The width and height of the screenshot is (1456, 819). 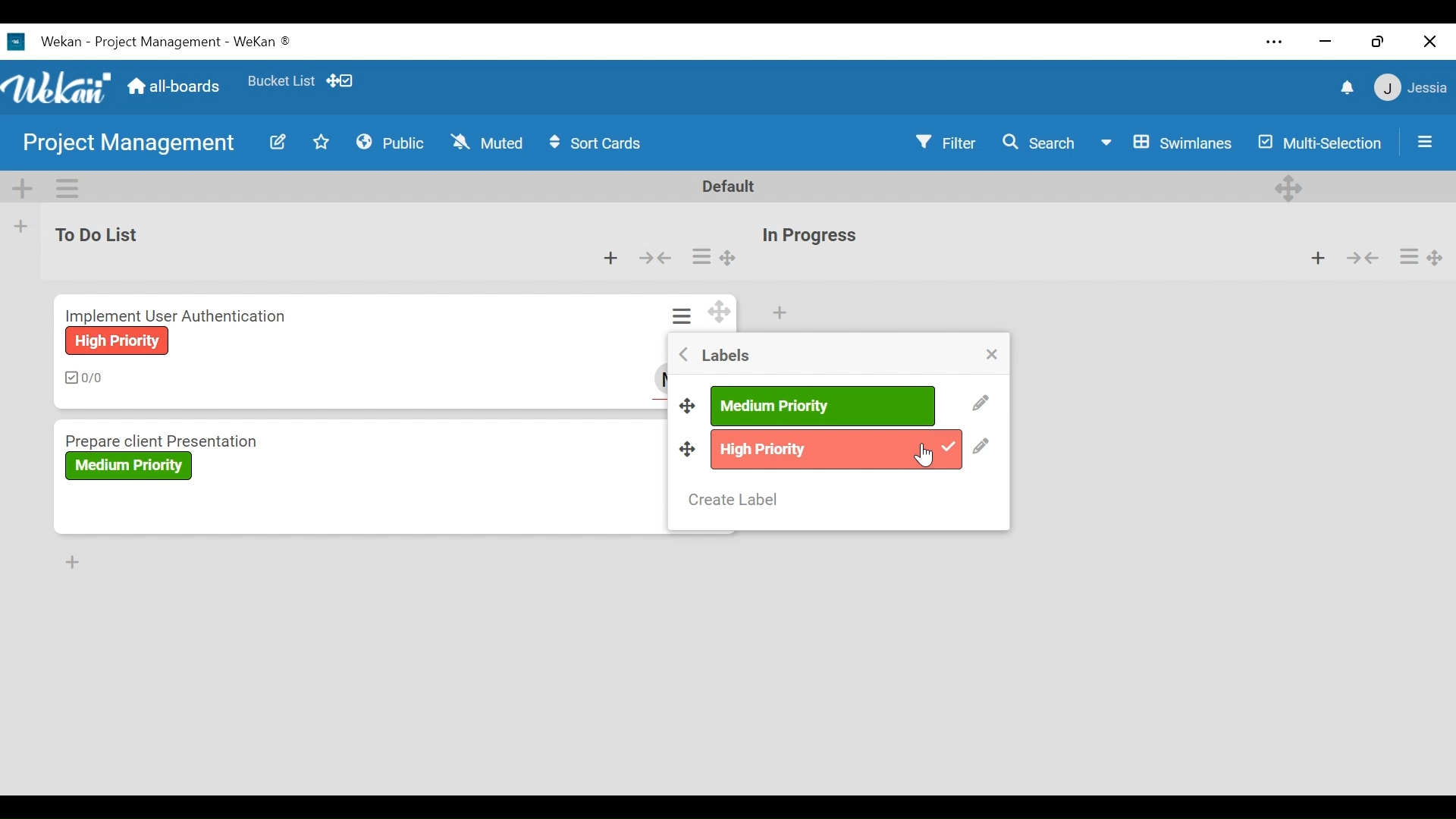 I want to click on Home (all-boards), so click(x=172, y=86).